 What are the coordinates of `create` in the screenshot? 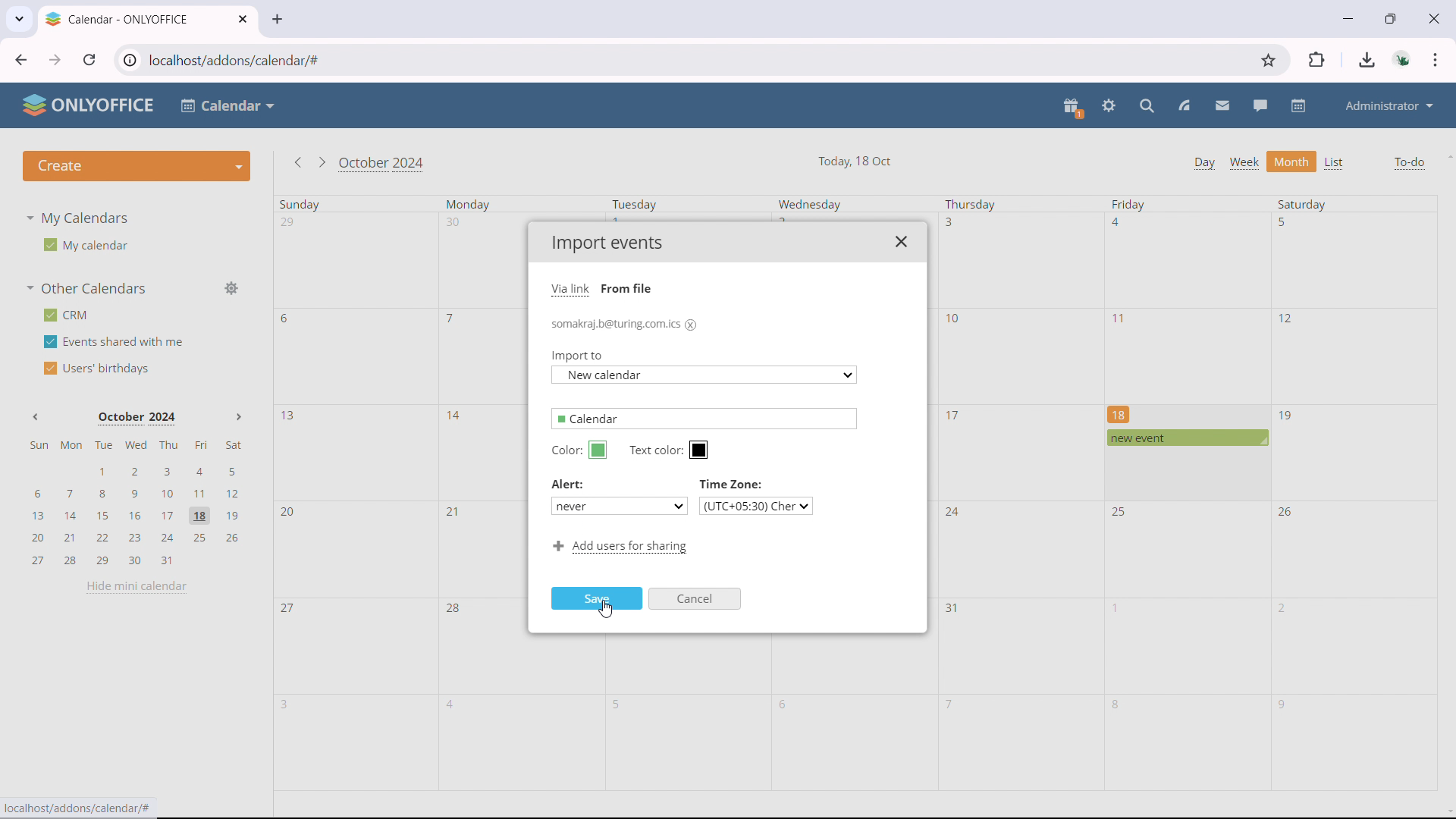 It's located at (136, 165).